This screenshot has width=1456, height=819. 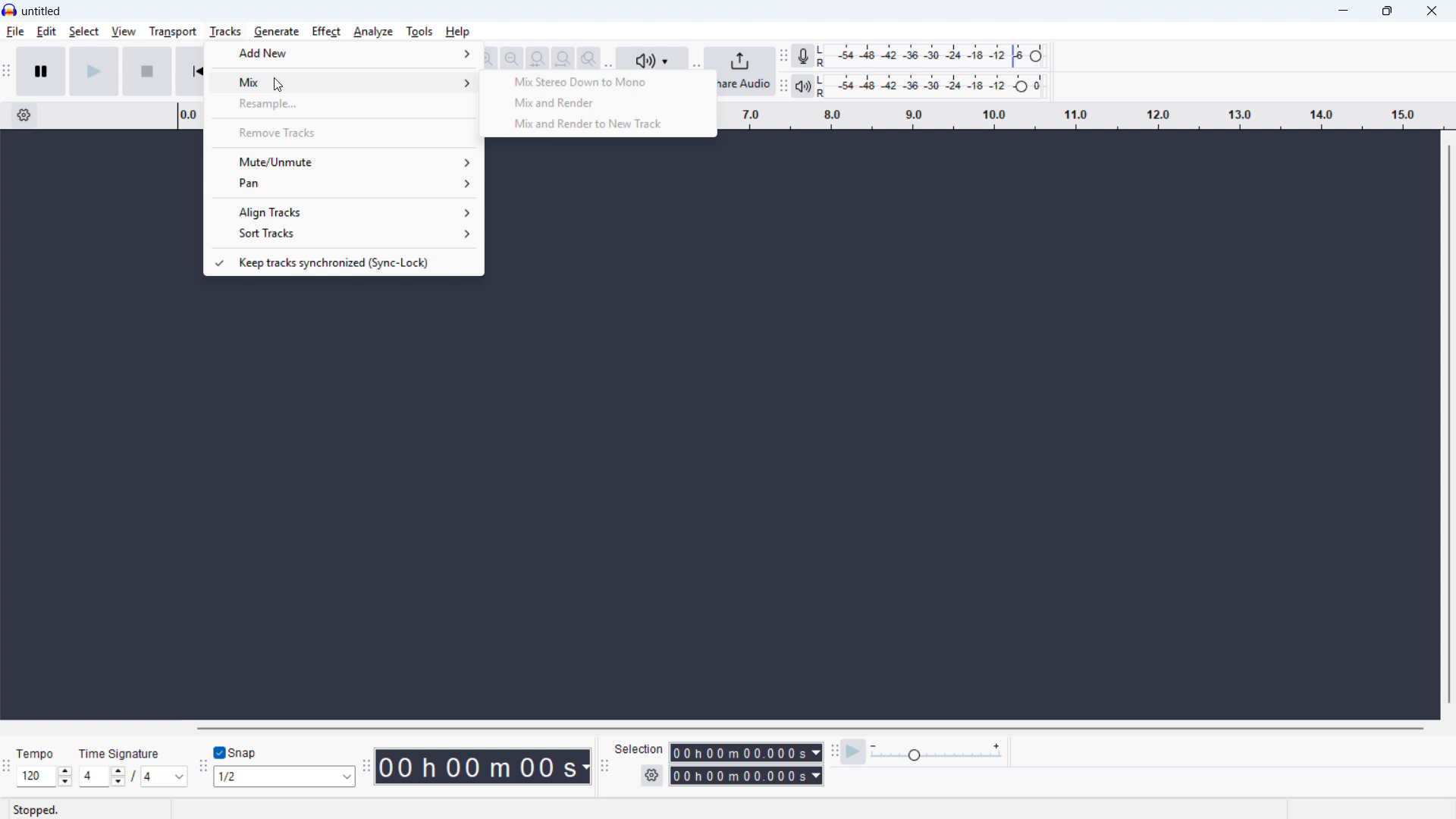 I want to click on time signature toolbar, so click(x=8, y=766).